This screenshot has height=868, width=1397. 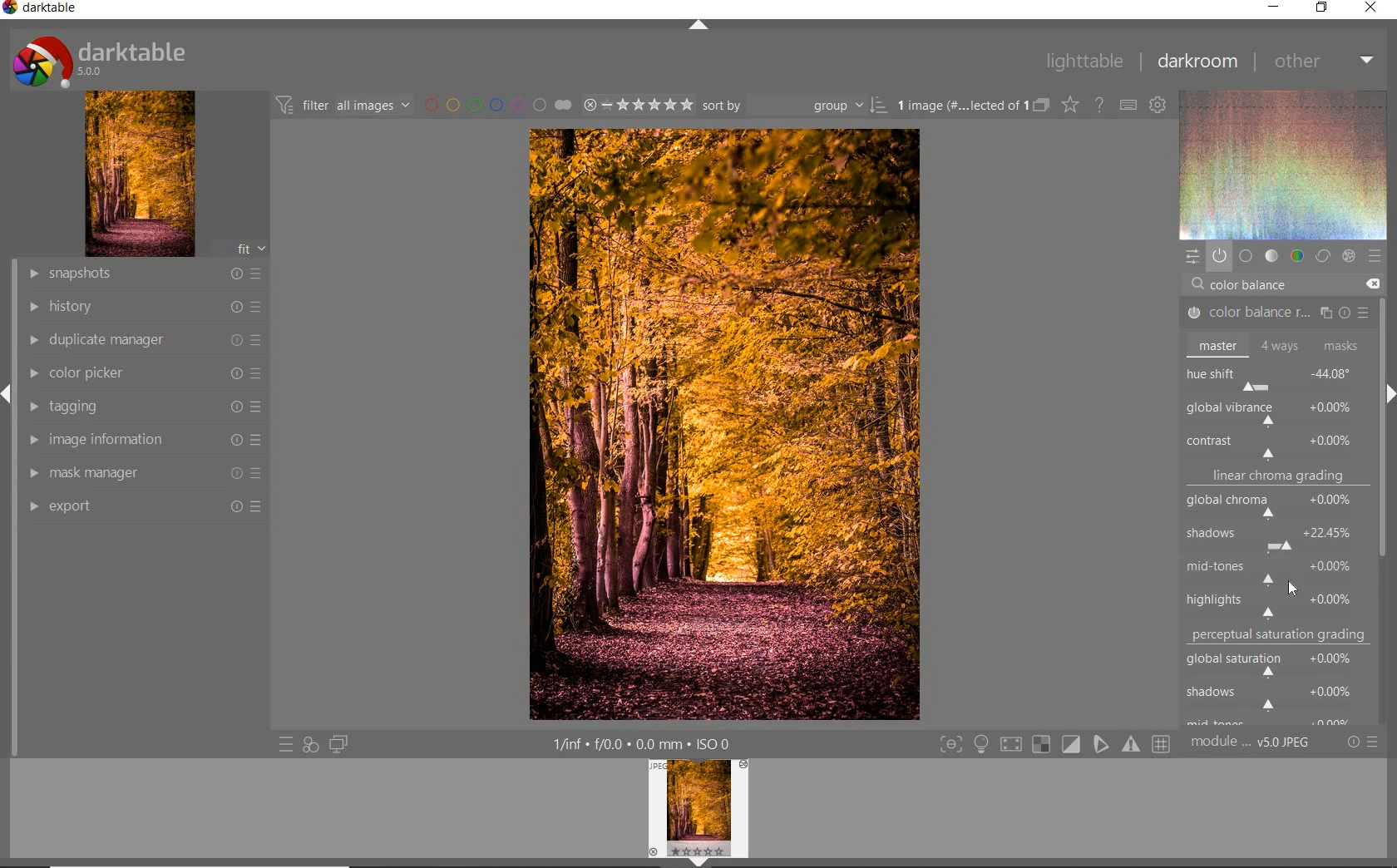 I want to click on scrollbar, so click(x=1384, y=330).